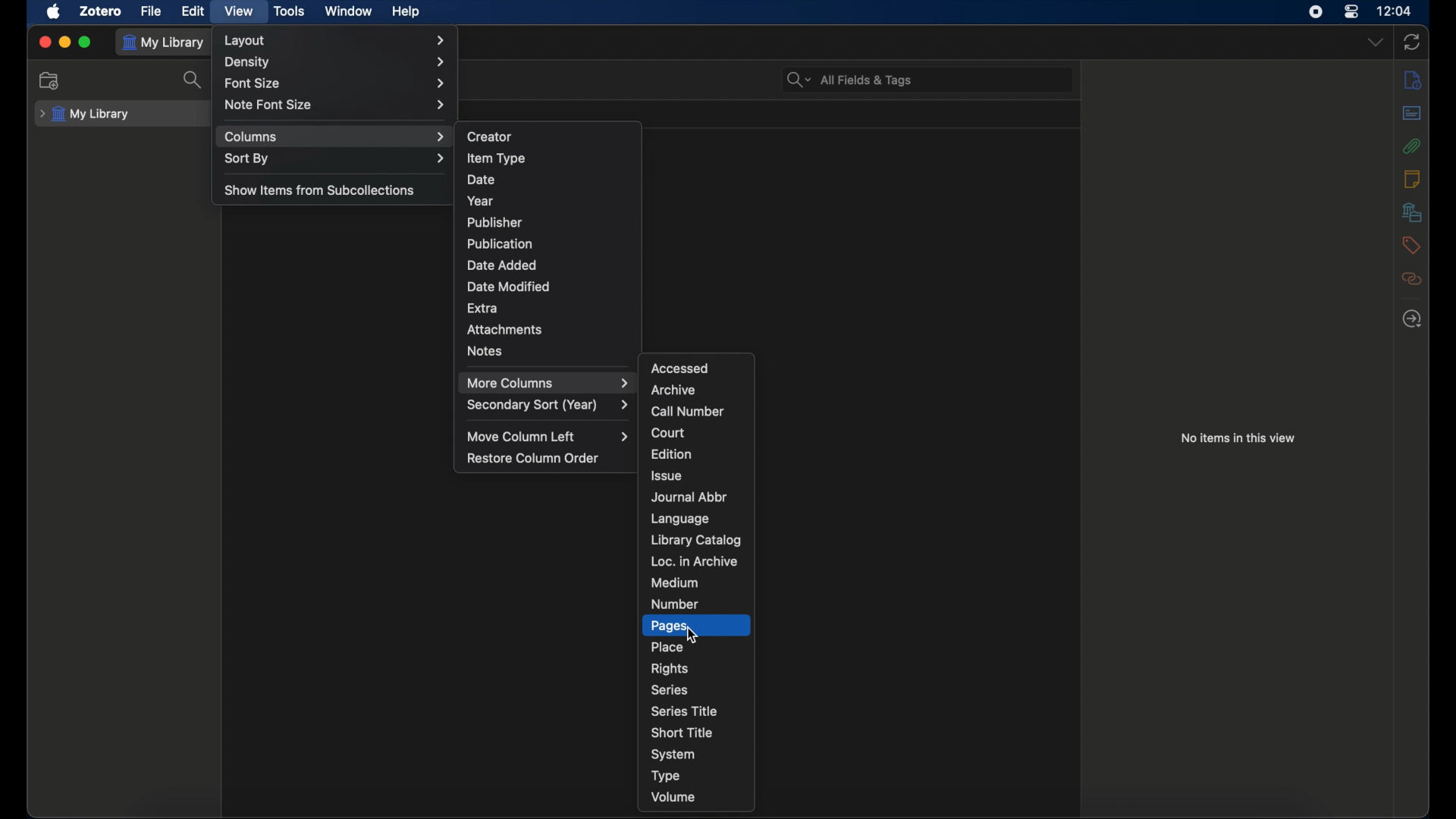 This screenshot has height=819, width=1456. Describe the element at coordinates (50, 80) in the screenshot. I see `new collection` at that location.